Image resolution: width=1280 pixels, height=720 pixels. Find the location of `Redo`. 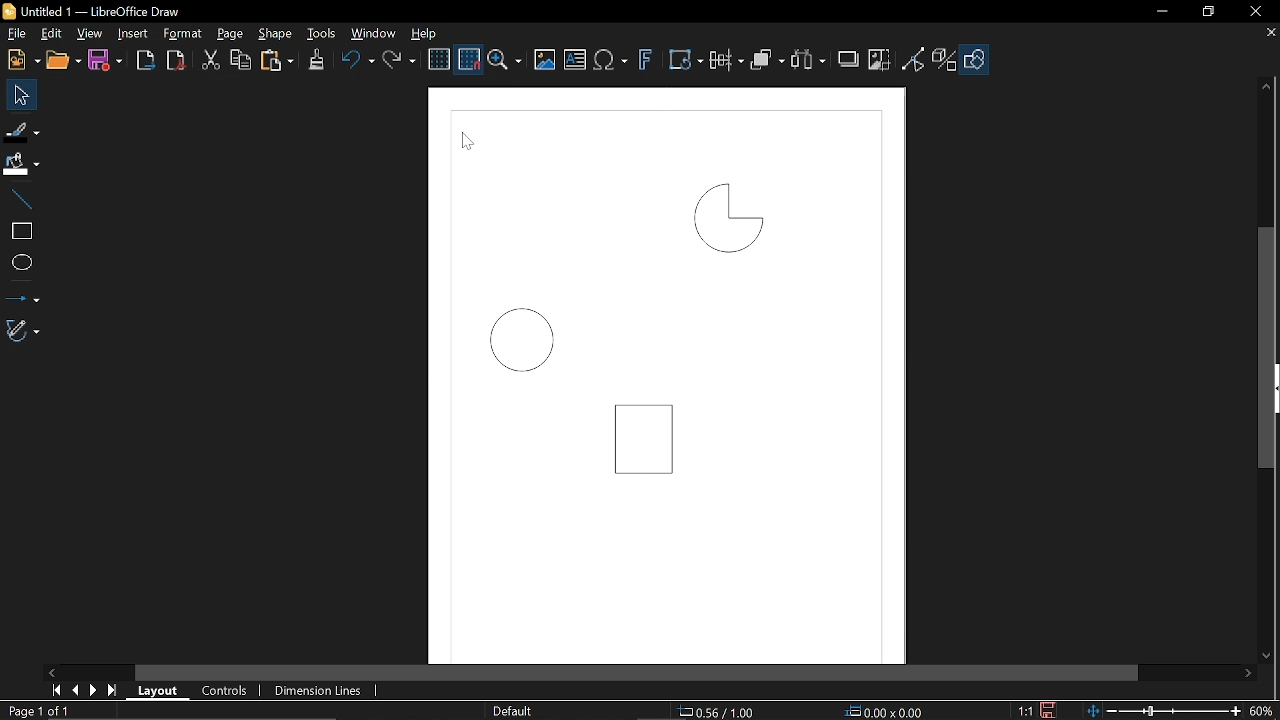

Redo is located at coordinates (402, 61).